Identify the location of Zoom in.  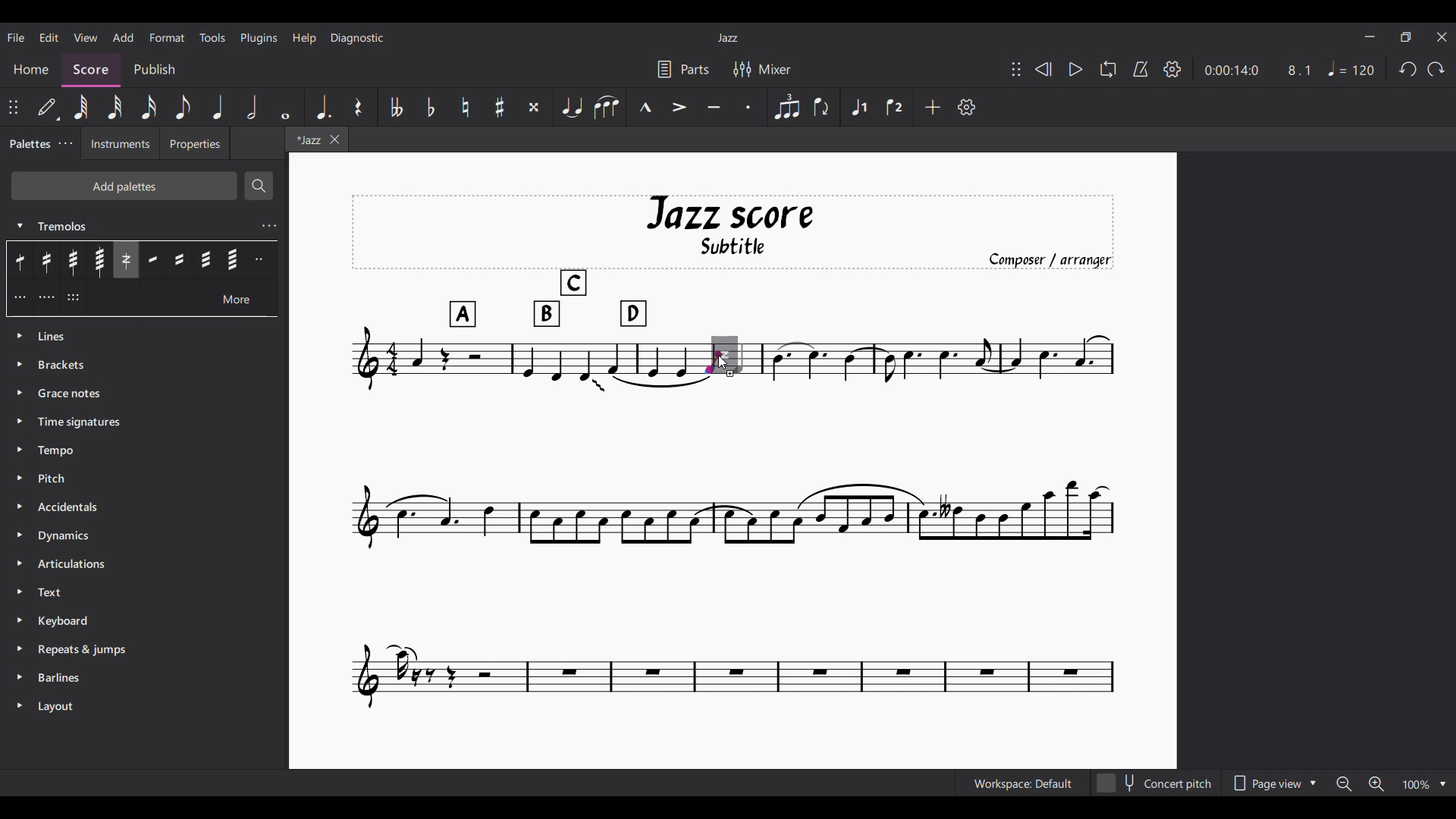
(1376, 783).